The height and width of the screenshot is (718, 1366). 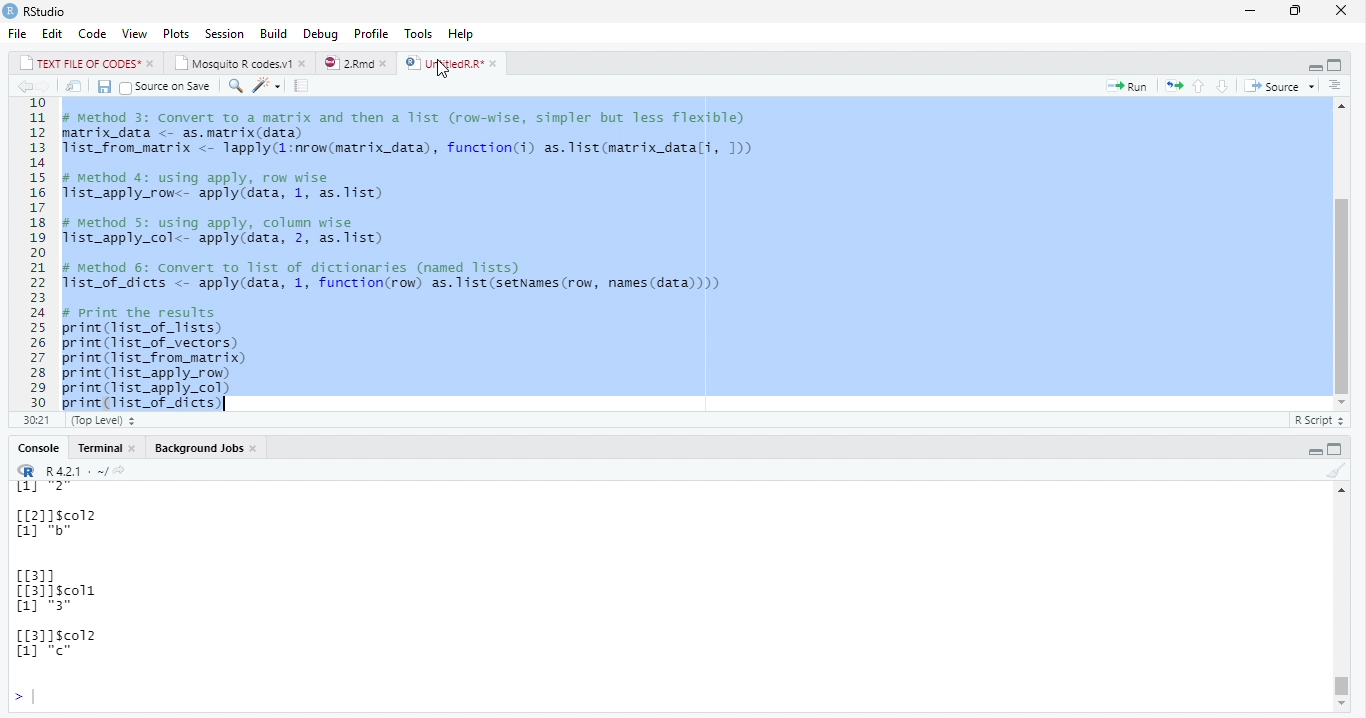 I want to click on Go to next location, so click(x=44, y=87).